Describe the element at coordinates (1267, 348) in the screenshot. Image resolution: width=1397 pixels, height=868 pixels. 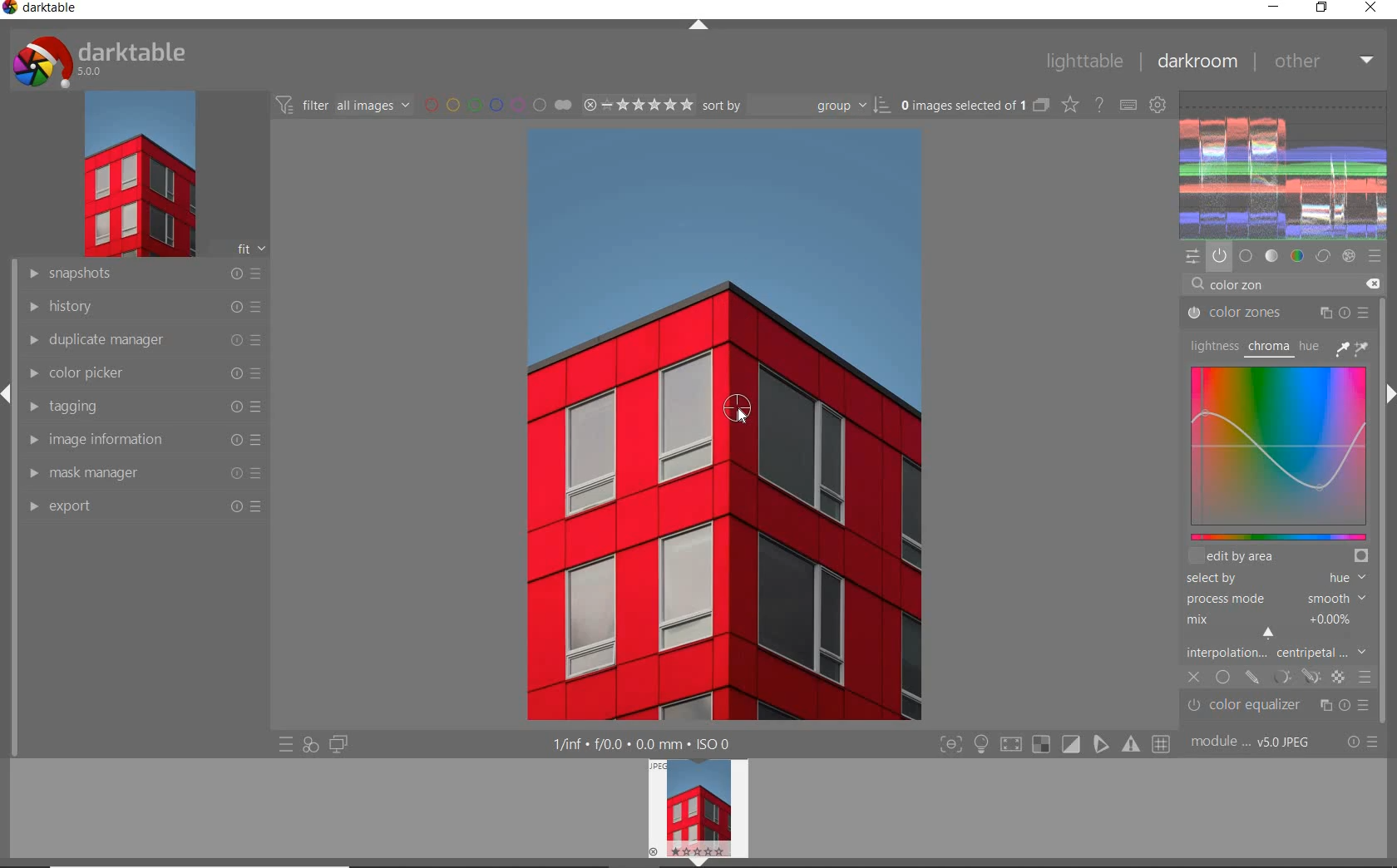
I see `CHROMA` at that location.